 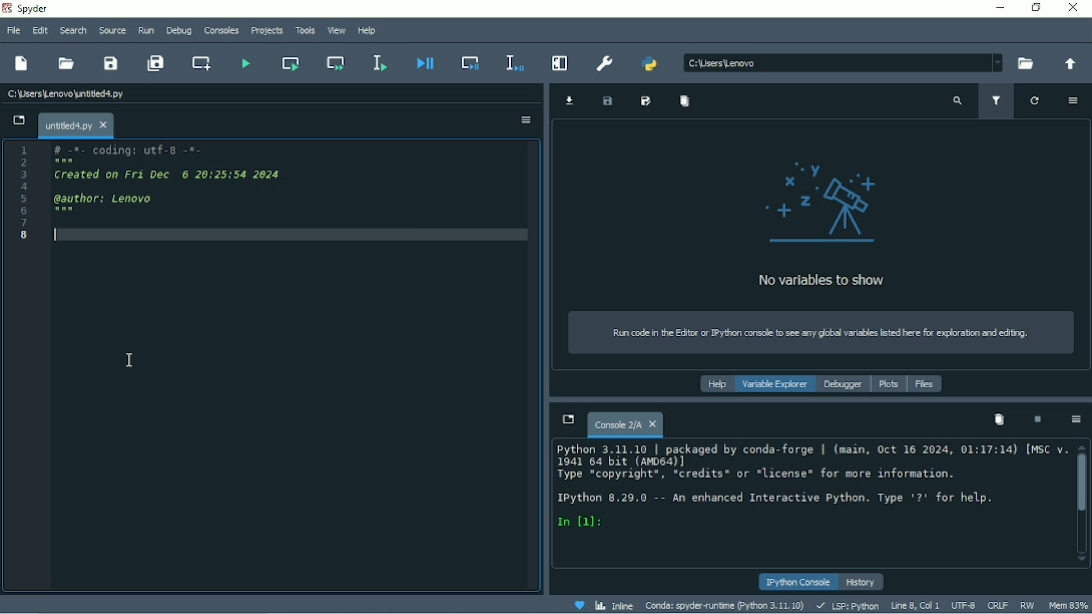 I want to click on Help, so click(x=717, y=384).